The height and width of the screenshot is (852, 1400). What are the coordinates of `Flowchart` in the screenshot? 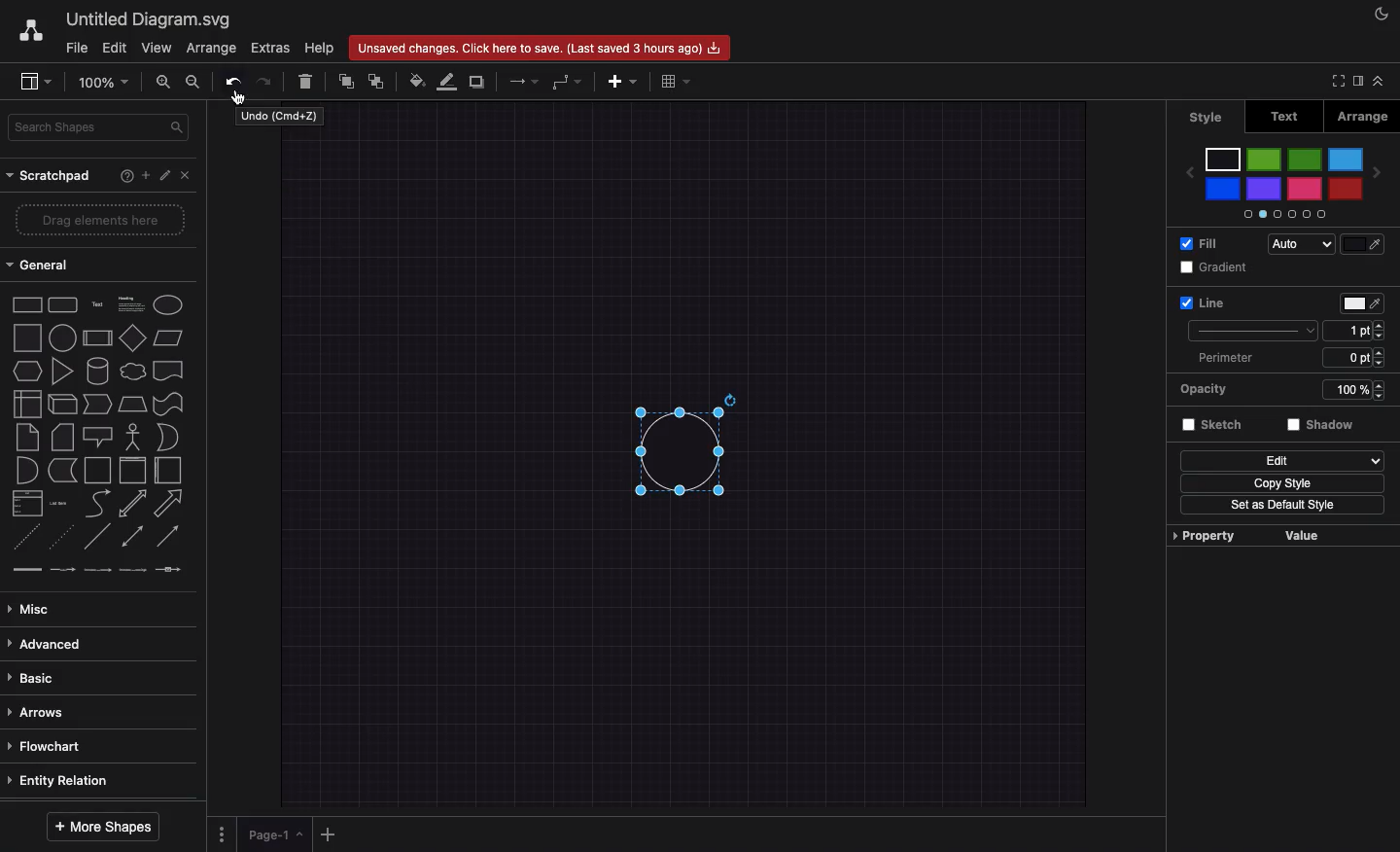 It's located at (51, 749).